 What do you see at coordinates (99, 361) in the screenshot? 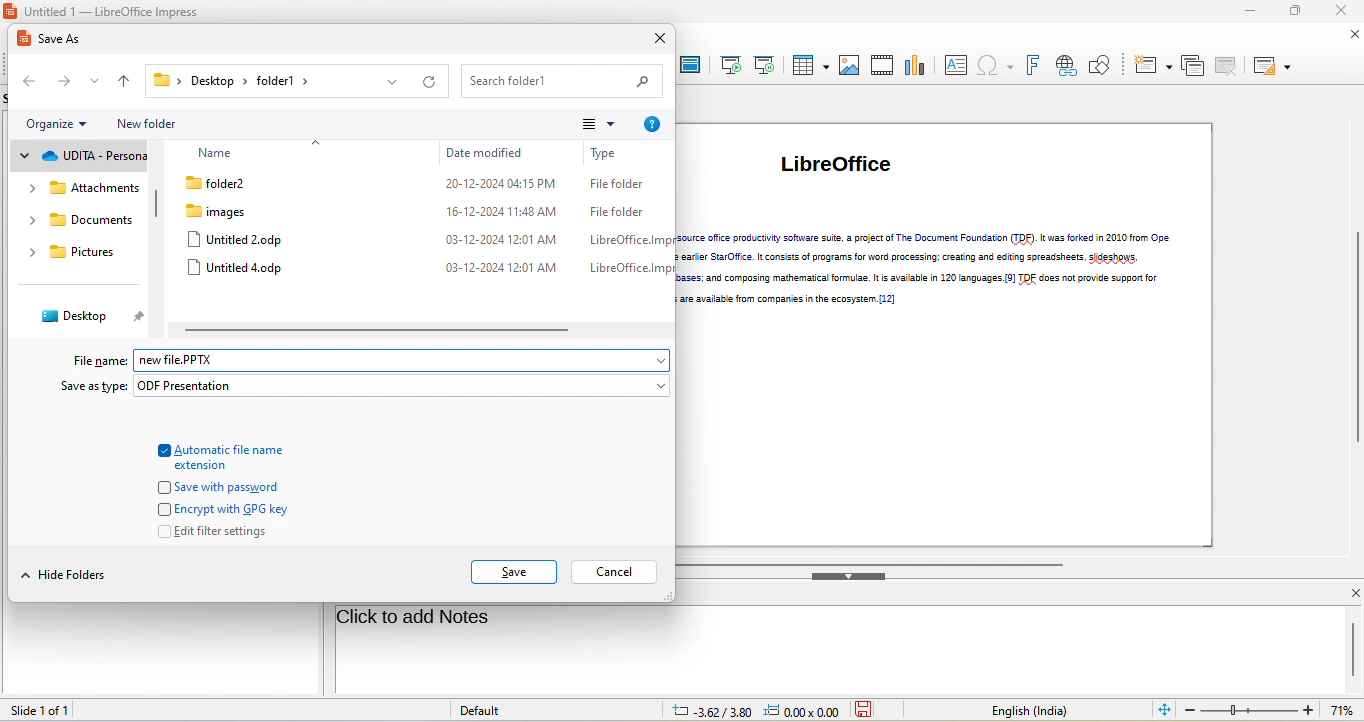
I see `file name` at bounding box center [99, 361].